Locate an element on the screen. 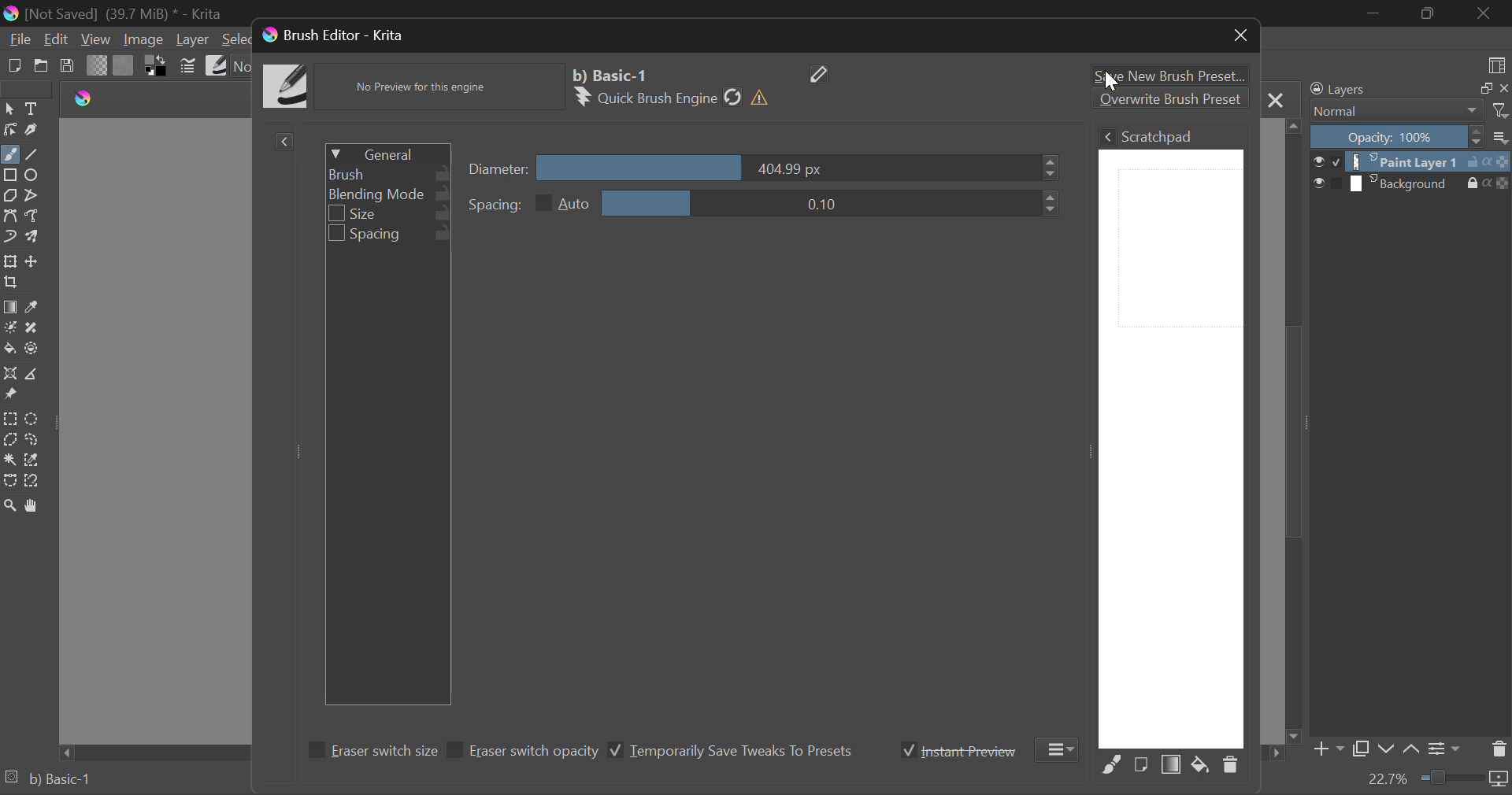  Spacing is located at coordinates (389, 235).